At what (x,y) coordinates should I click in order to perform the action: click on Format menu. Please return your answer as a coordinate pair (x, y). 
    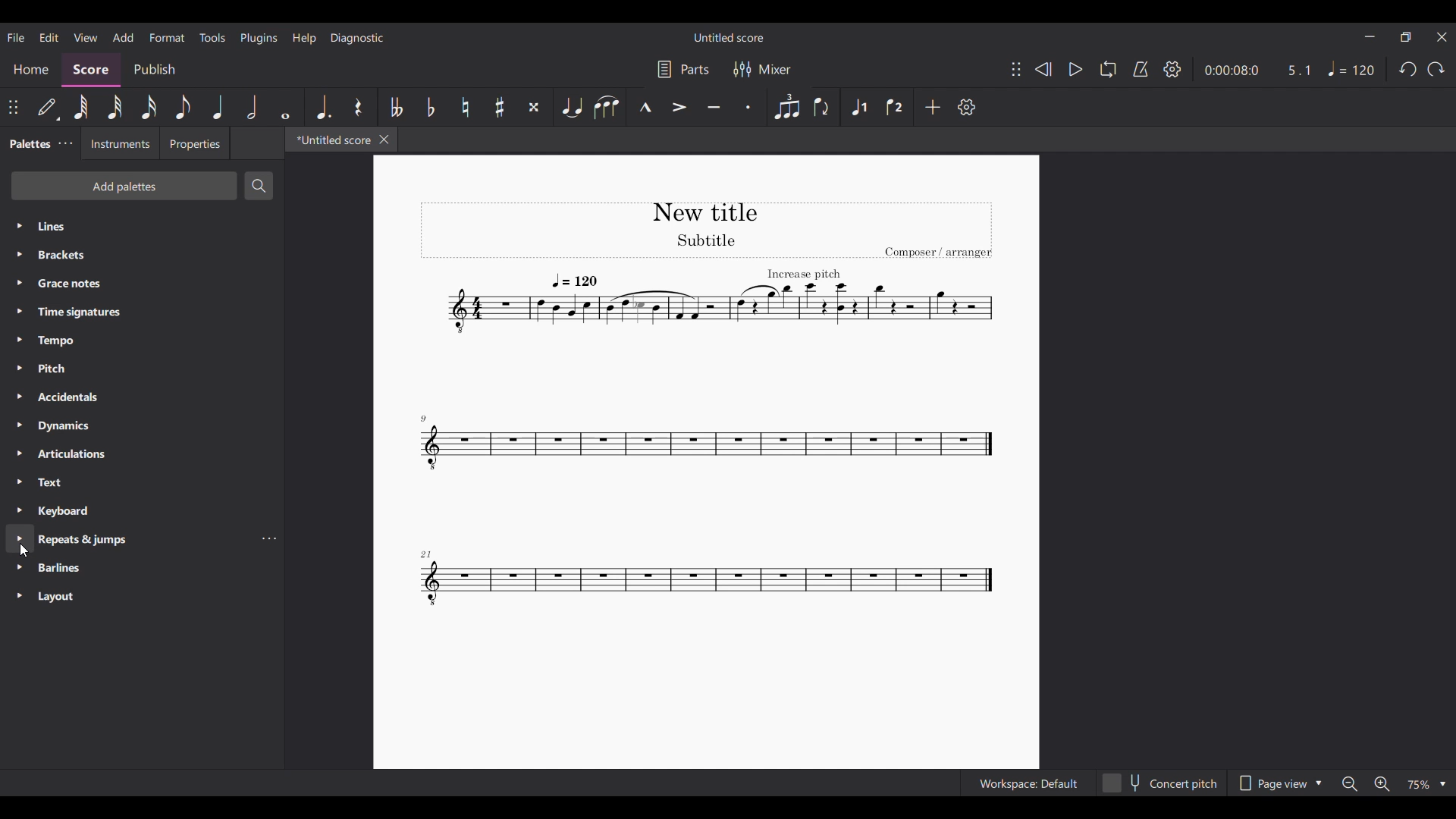
    Looking at the image, I should click on (167, 38).